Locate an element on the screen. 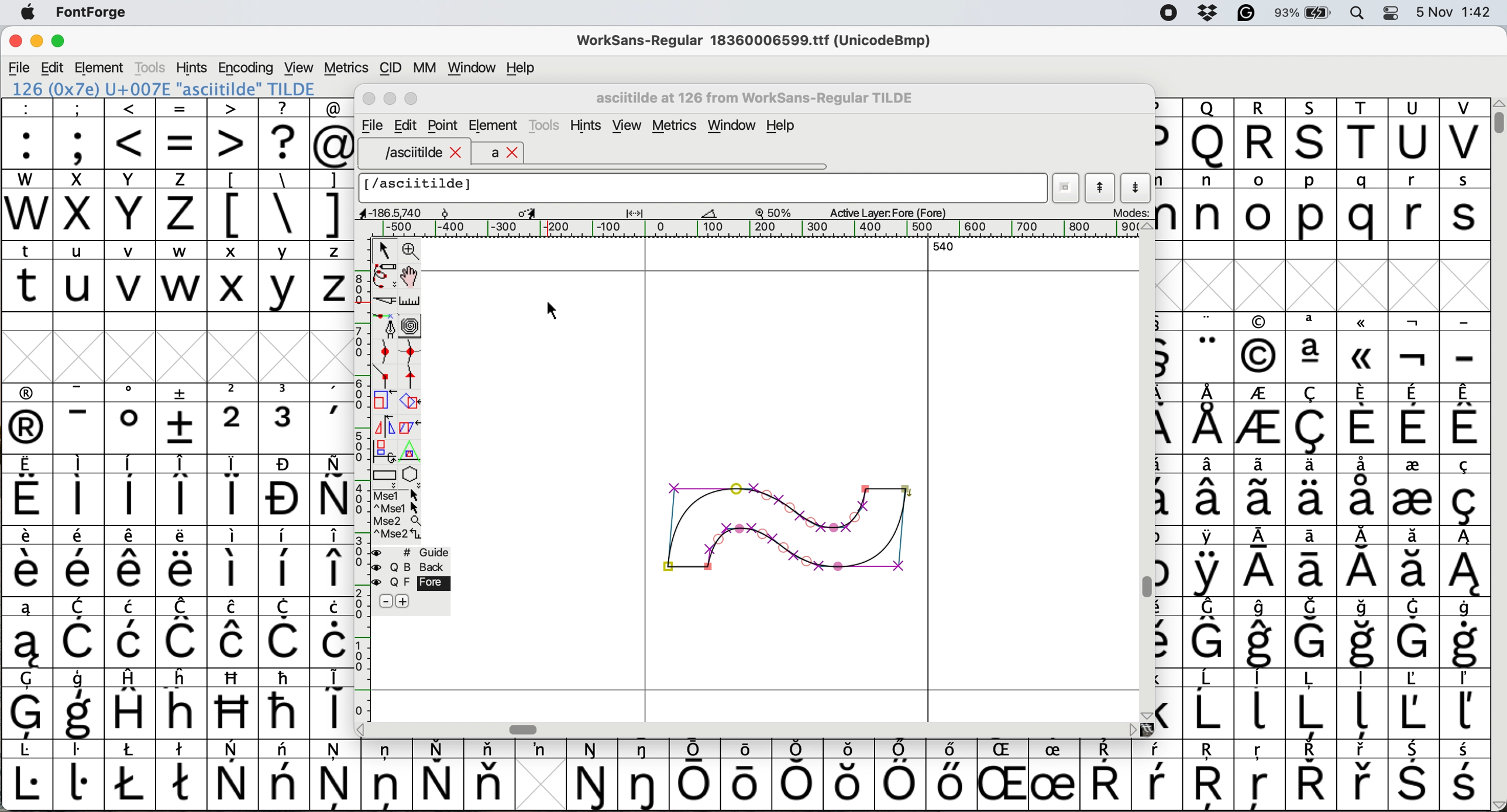 Image resolution: width=1507 pixels, height=812 pixels. scroll button is located at coordinates (1145, 714).